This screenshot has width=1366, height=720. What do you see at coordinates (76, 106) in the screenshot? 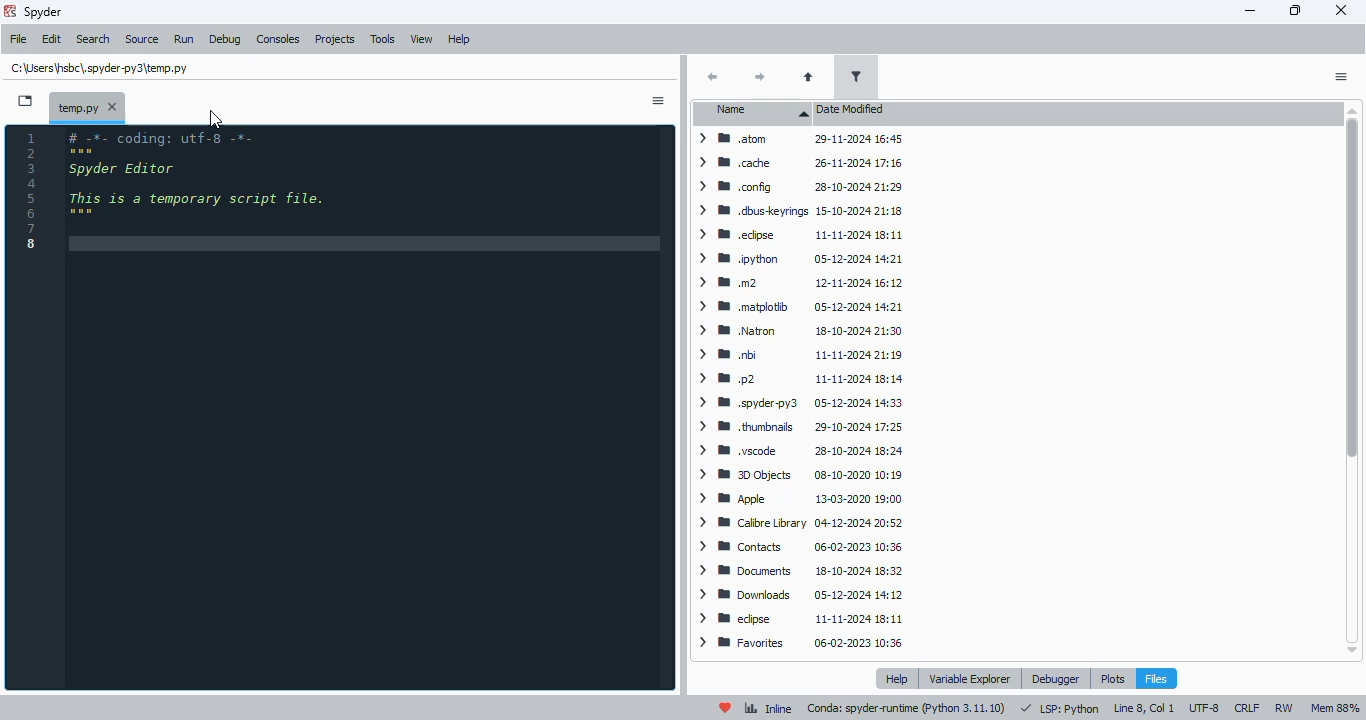
I see `temporary file` at bounding box center [76, 106].